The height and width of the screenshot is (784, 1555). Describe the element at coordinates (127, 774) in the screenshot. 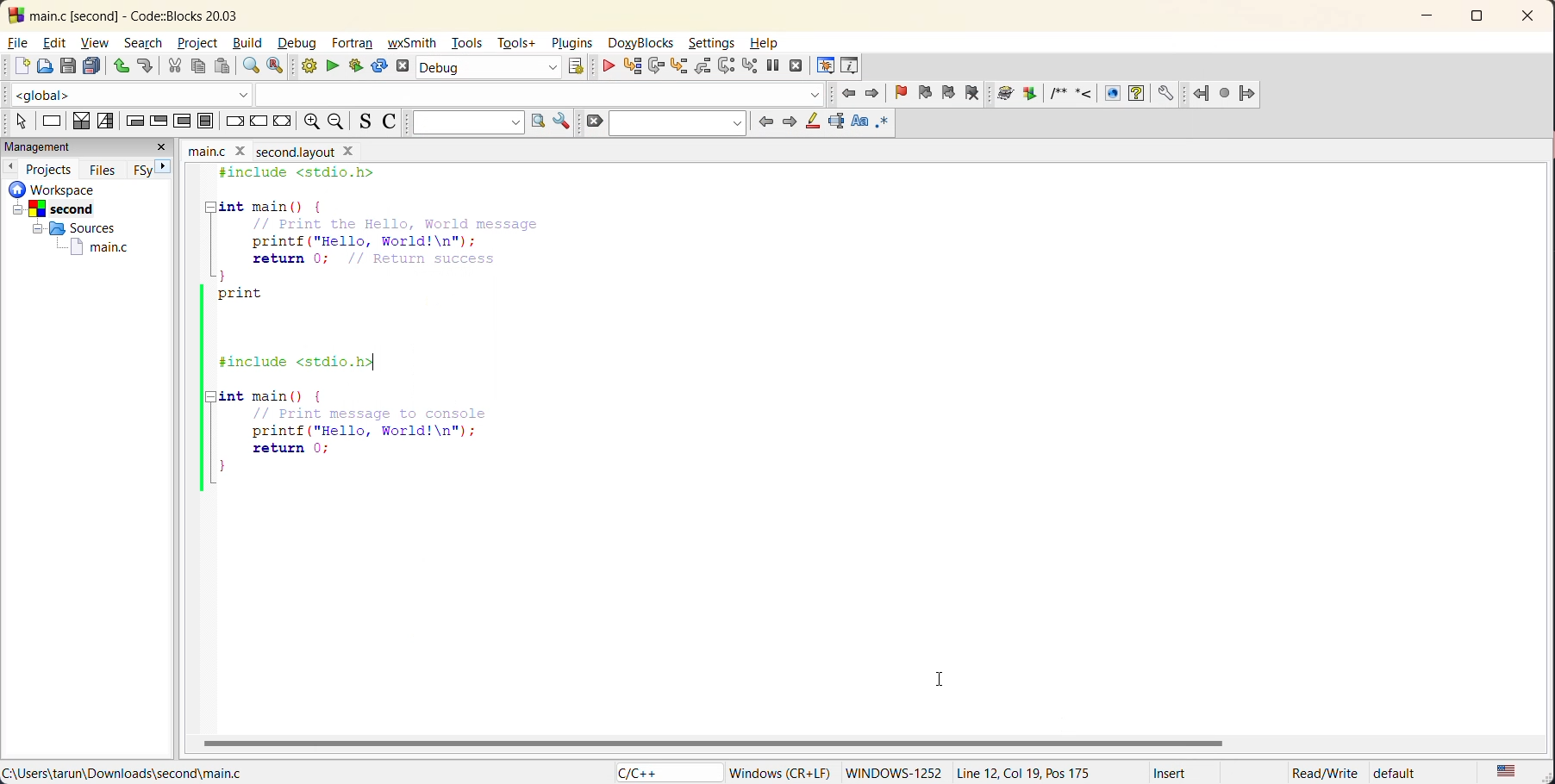

I see `file location` at that location.